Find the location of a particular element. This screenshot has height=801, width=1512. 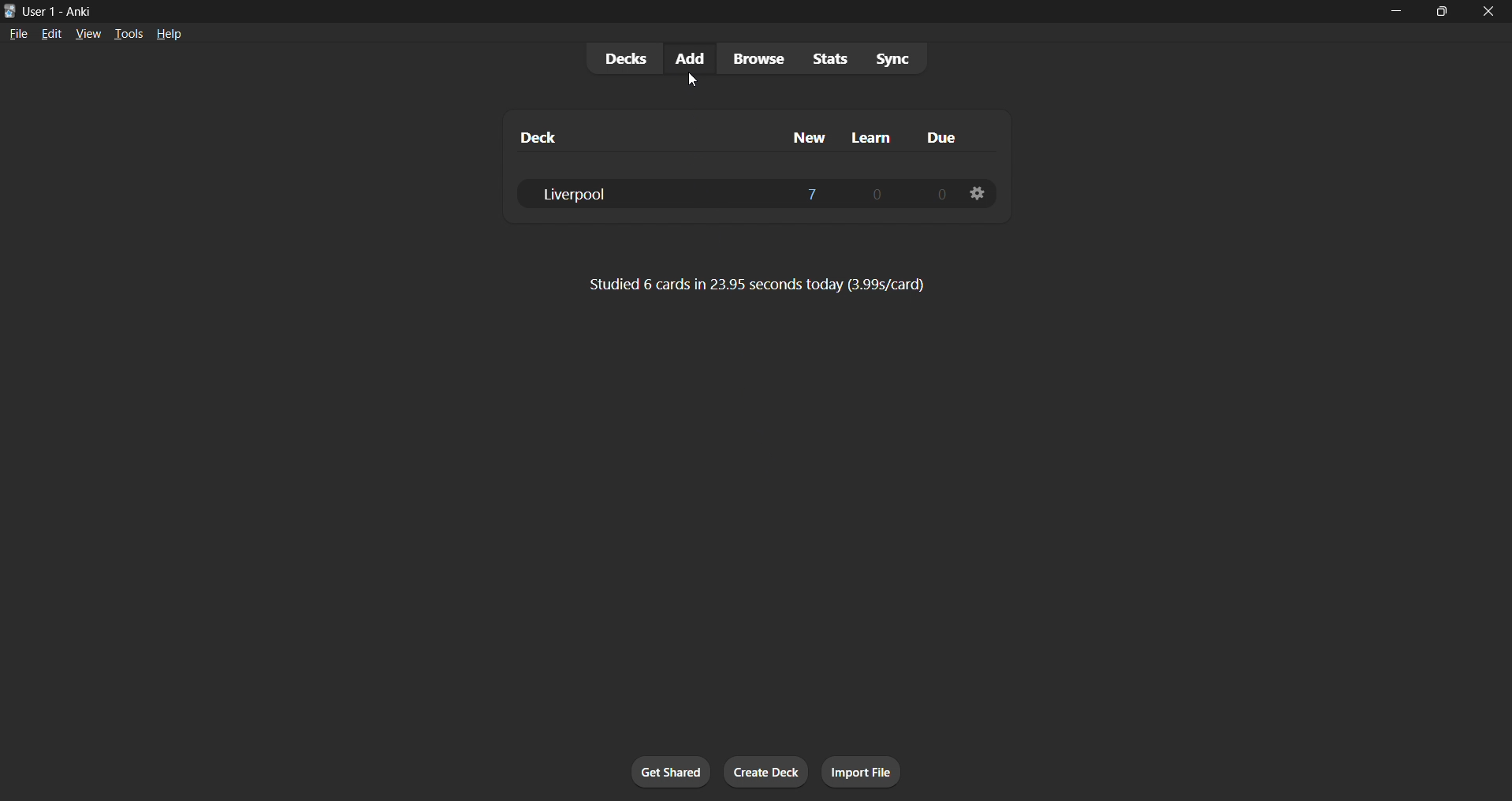

close is located at coordinates (1489, 12).